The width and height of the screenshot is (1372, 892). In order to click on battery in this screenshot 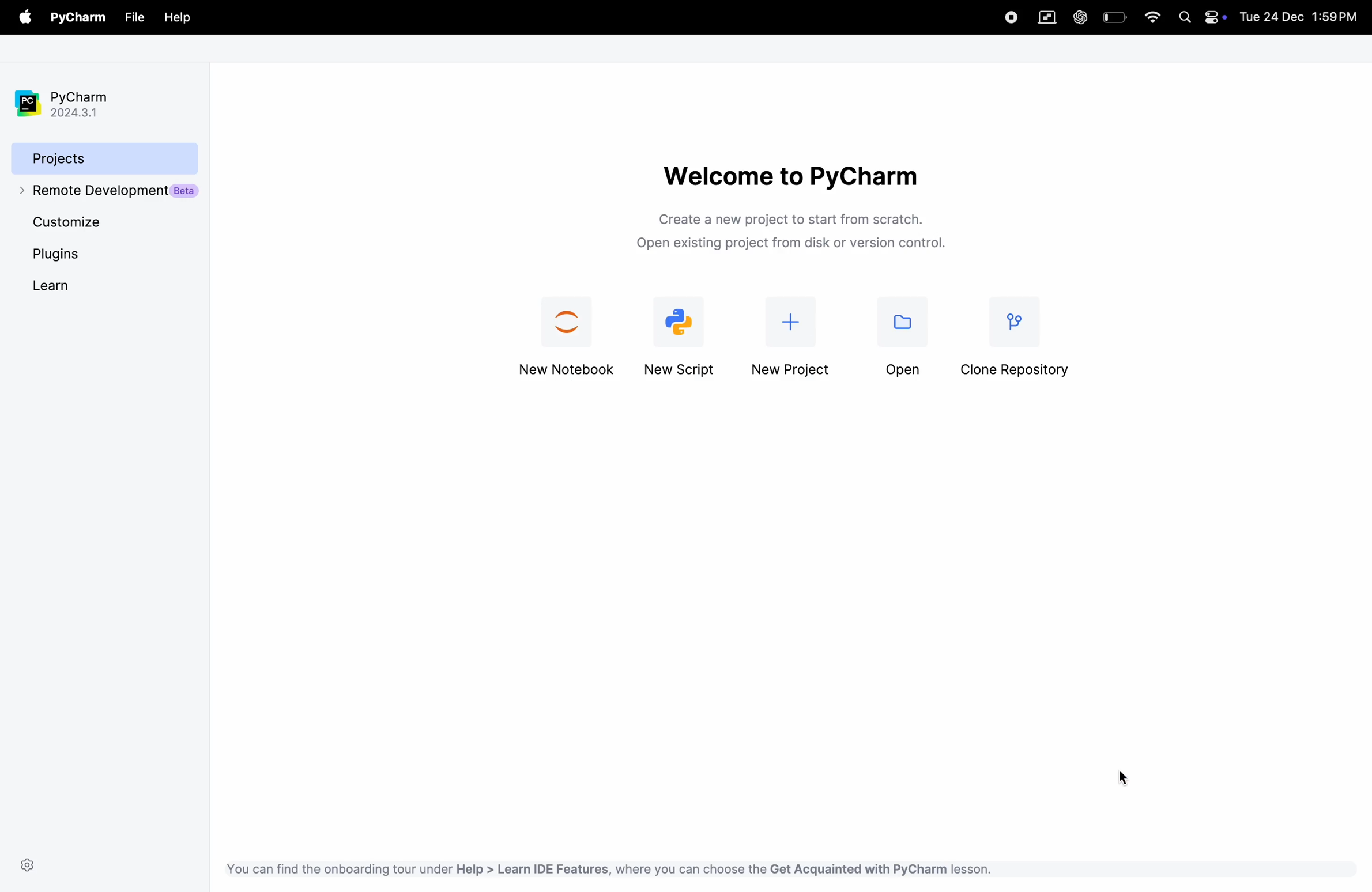, I will do `click(1114, 17)`.